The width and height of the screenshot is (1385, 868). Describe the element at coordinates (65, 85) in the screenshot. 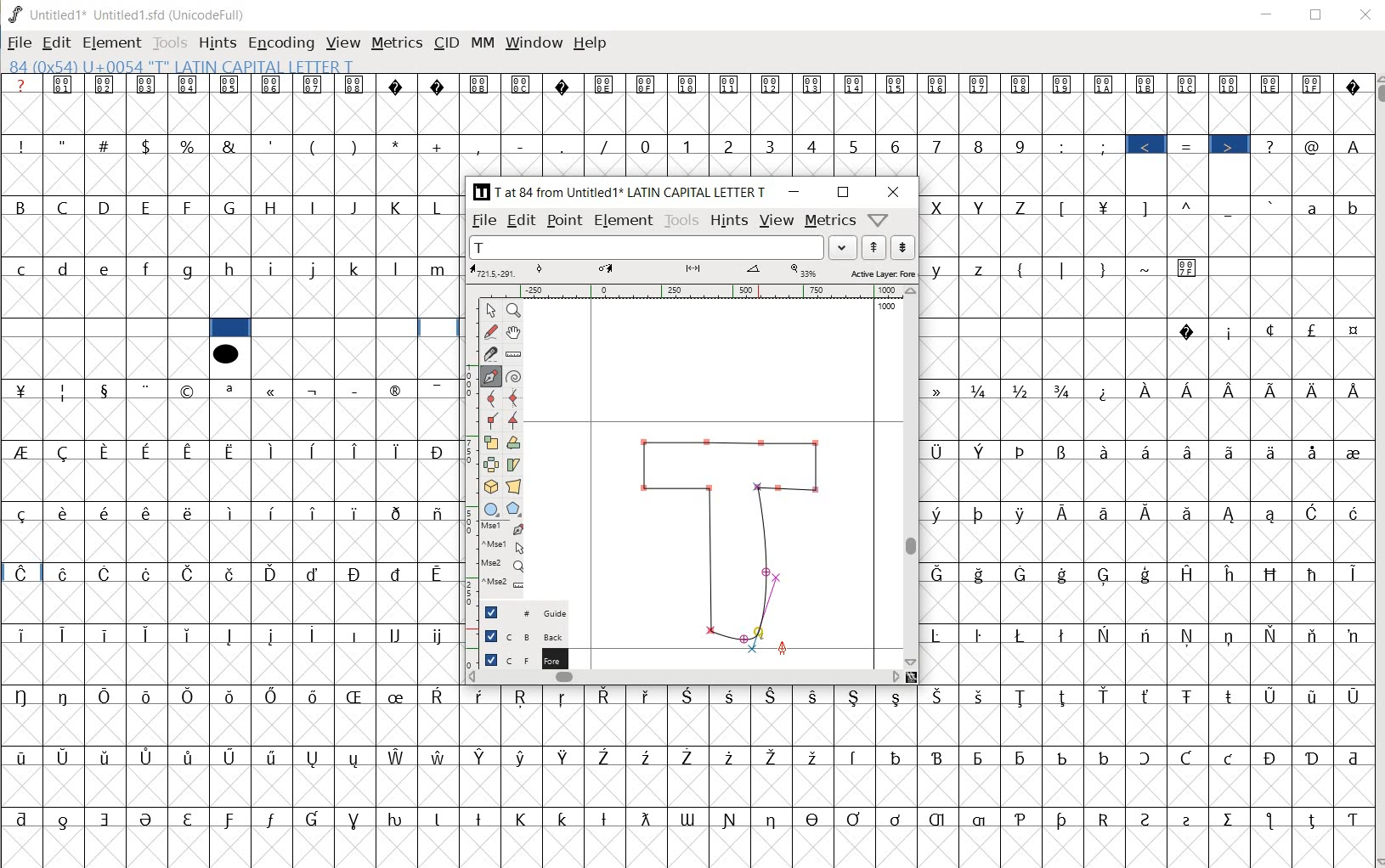

I see `Symbol` at that location.